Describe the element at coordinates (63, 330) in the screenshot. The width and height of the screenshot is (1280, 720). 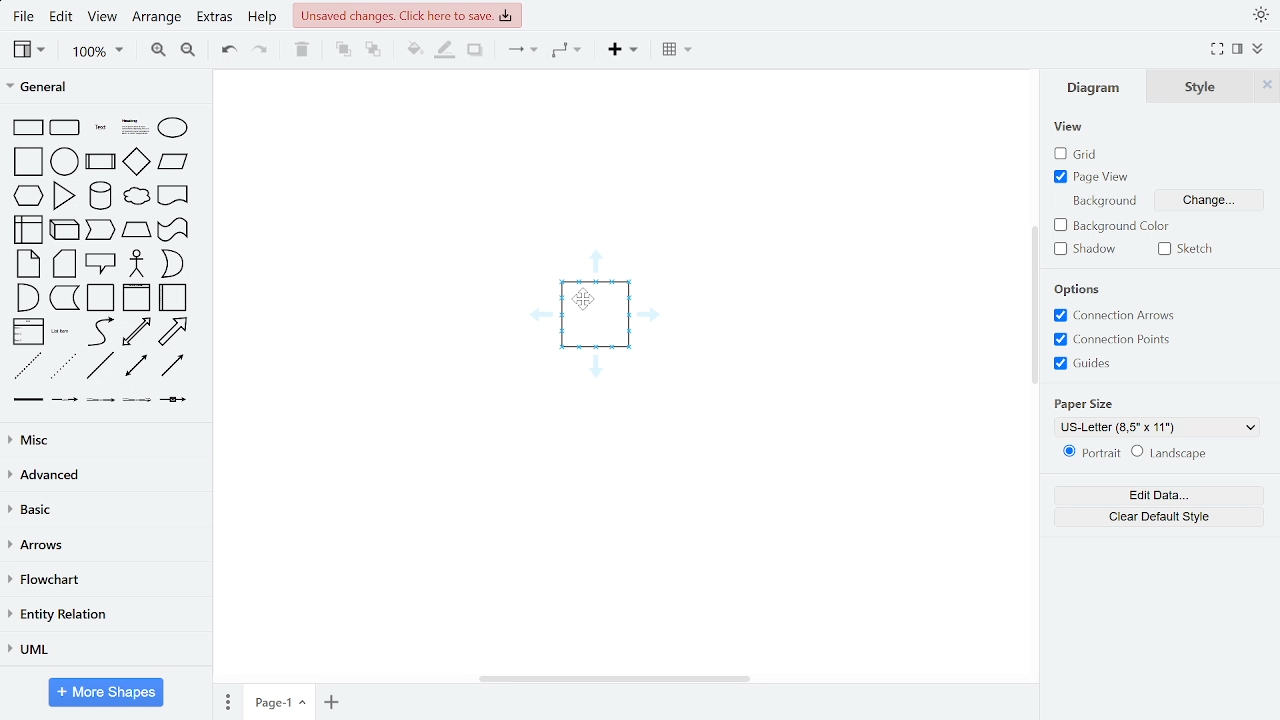
I see `general shapes` at that location.